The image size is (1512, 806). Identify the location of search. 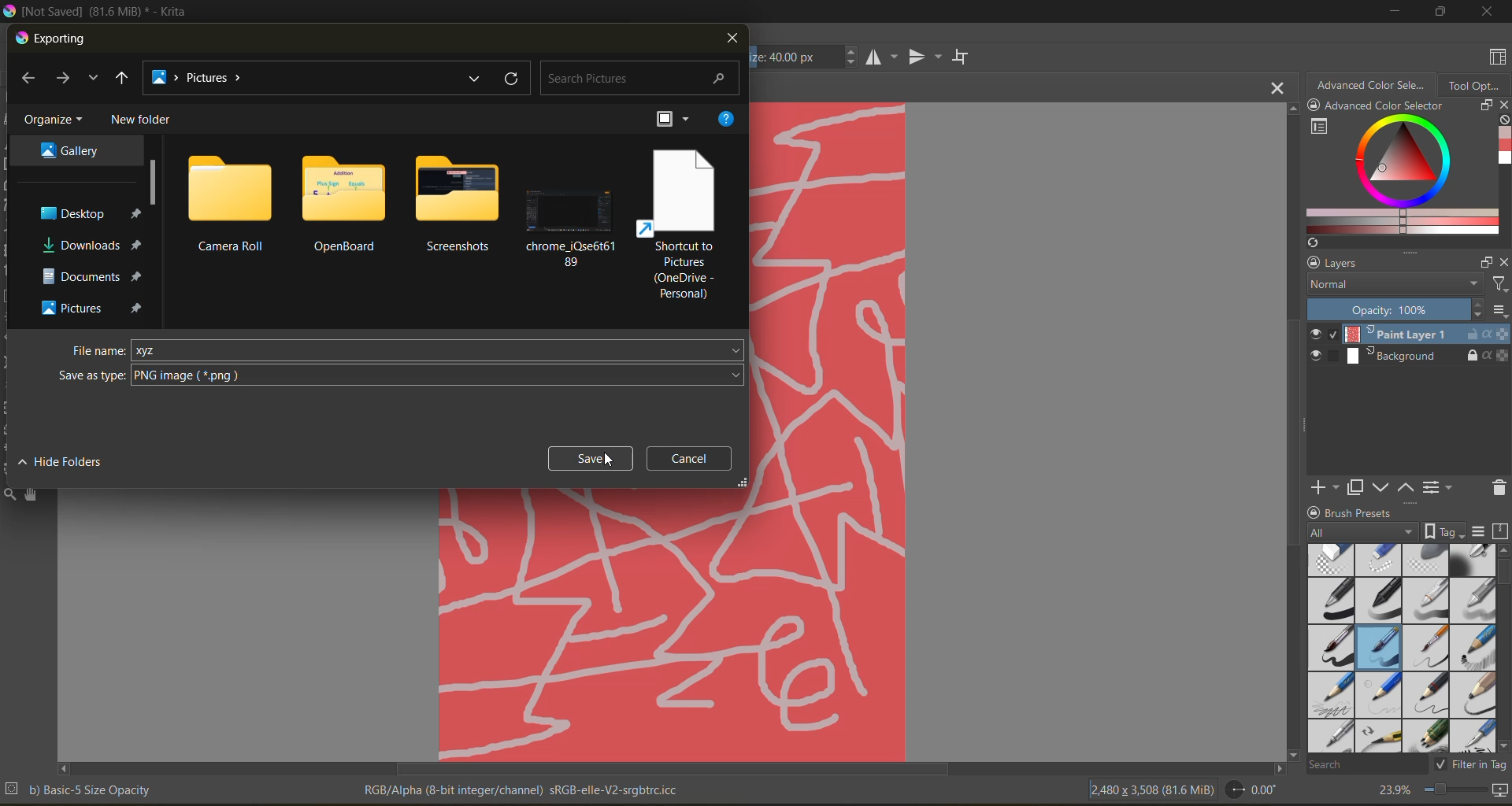
(1366, 763).